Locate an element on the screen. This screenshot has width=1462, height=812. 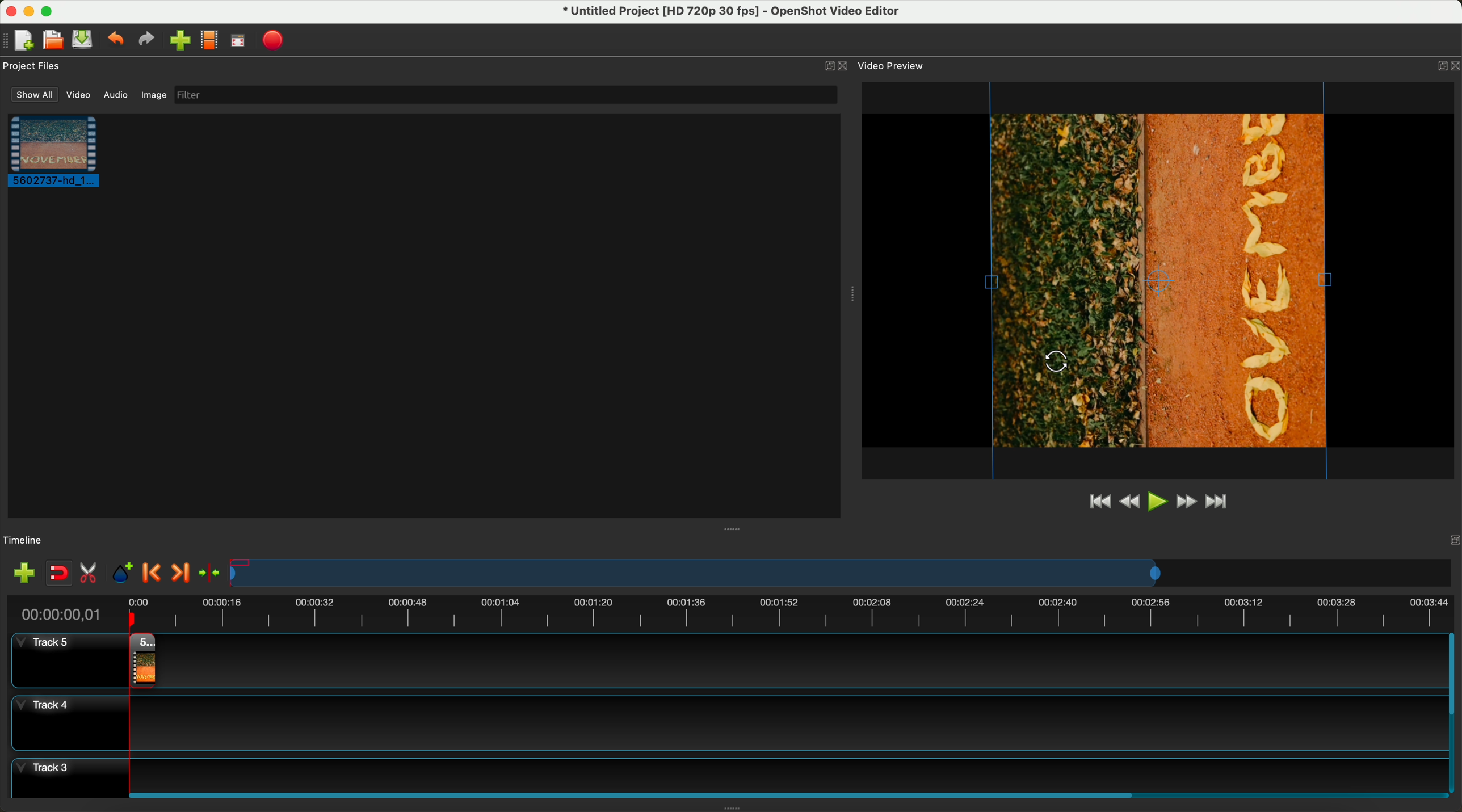
jump to start is located at coordinates (1098, 503).